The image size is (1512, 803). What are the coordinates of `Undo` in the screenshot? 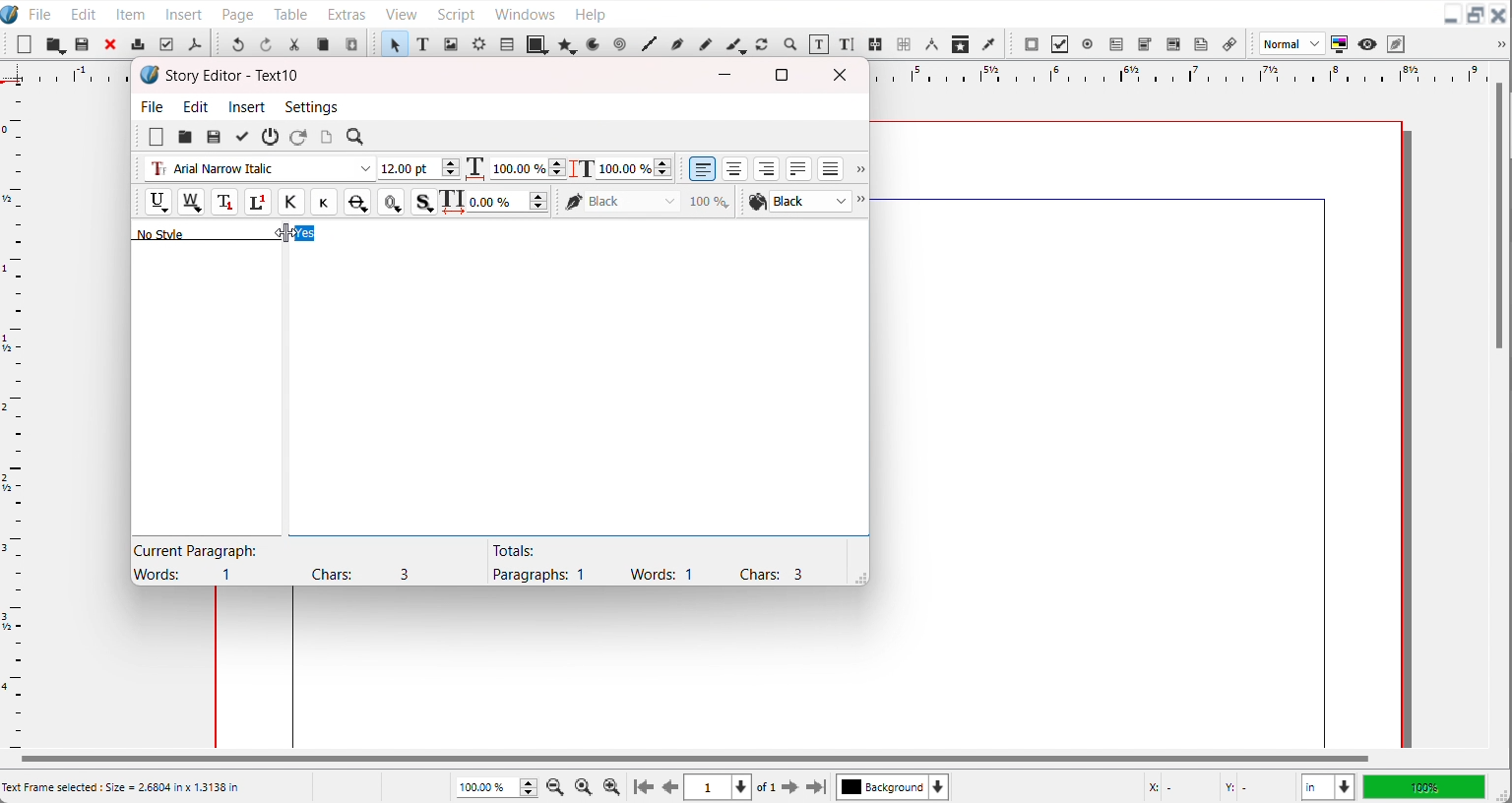 It's located at (237, 43).